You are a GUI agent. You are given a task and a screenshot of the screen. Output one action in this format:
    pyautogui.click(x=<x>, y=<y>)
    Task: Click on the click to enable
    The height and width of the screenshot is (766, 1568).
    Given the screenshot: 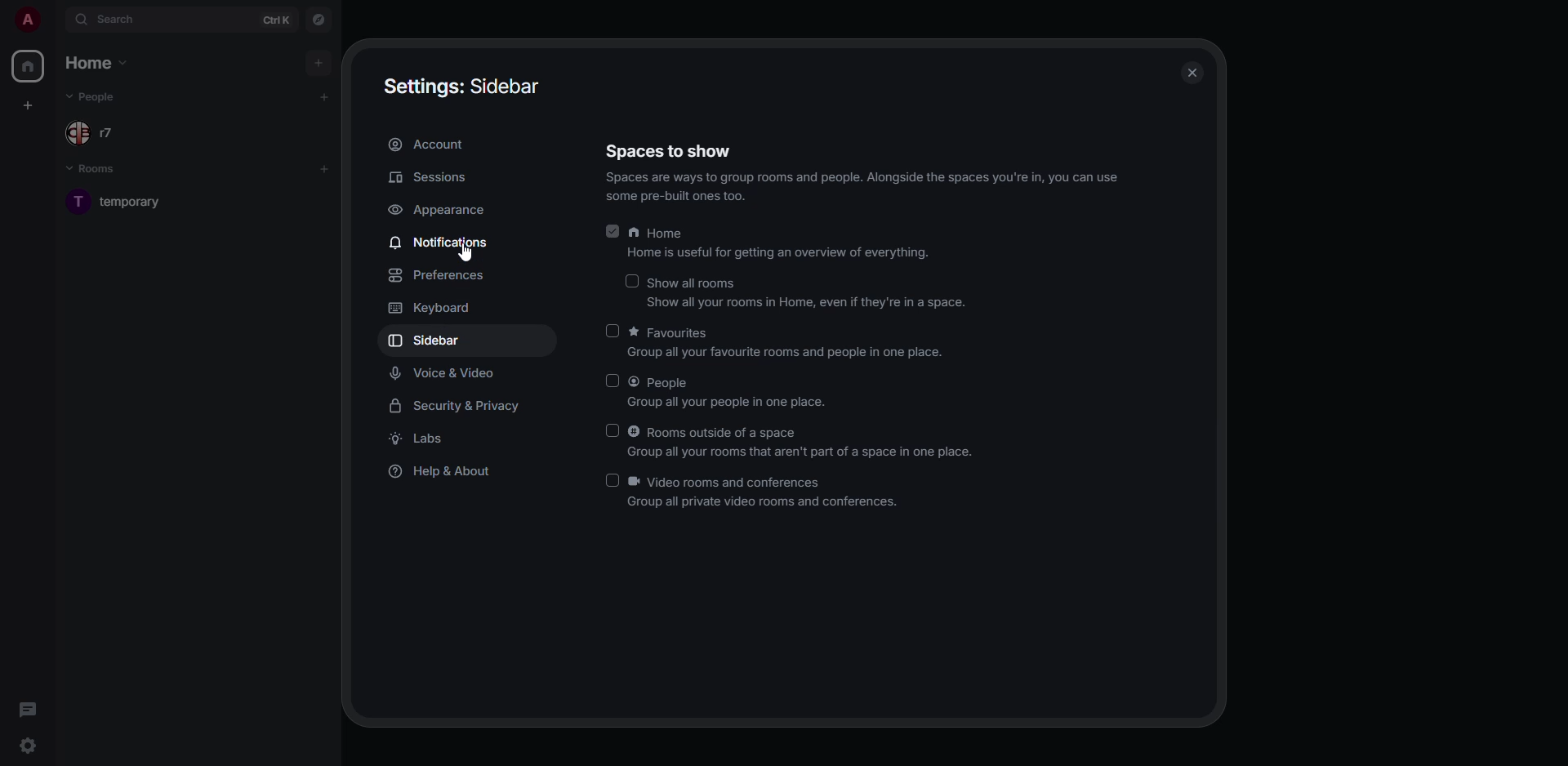 What is the action you would take?
    pyautogui.click(x=612, y=430)
    